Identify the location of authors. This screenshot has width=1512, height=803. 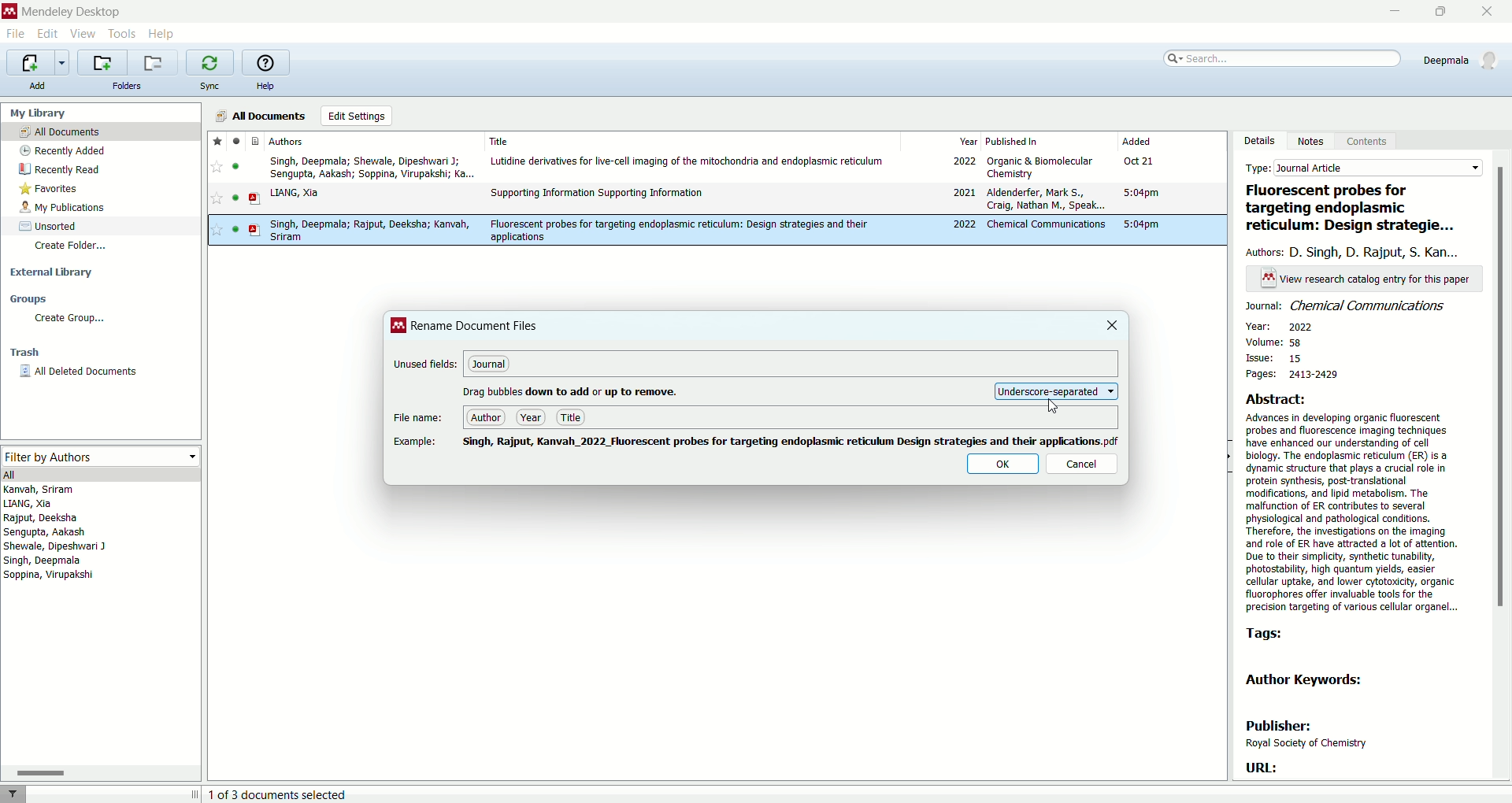
(298, 142).